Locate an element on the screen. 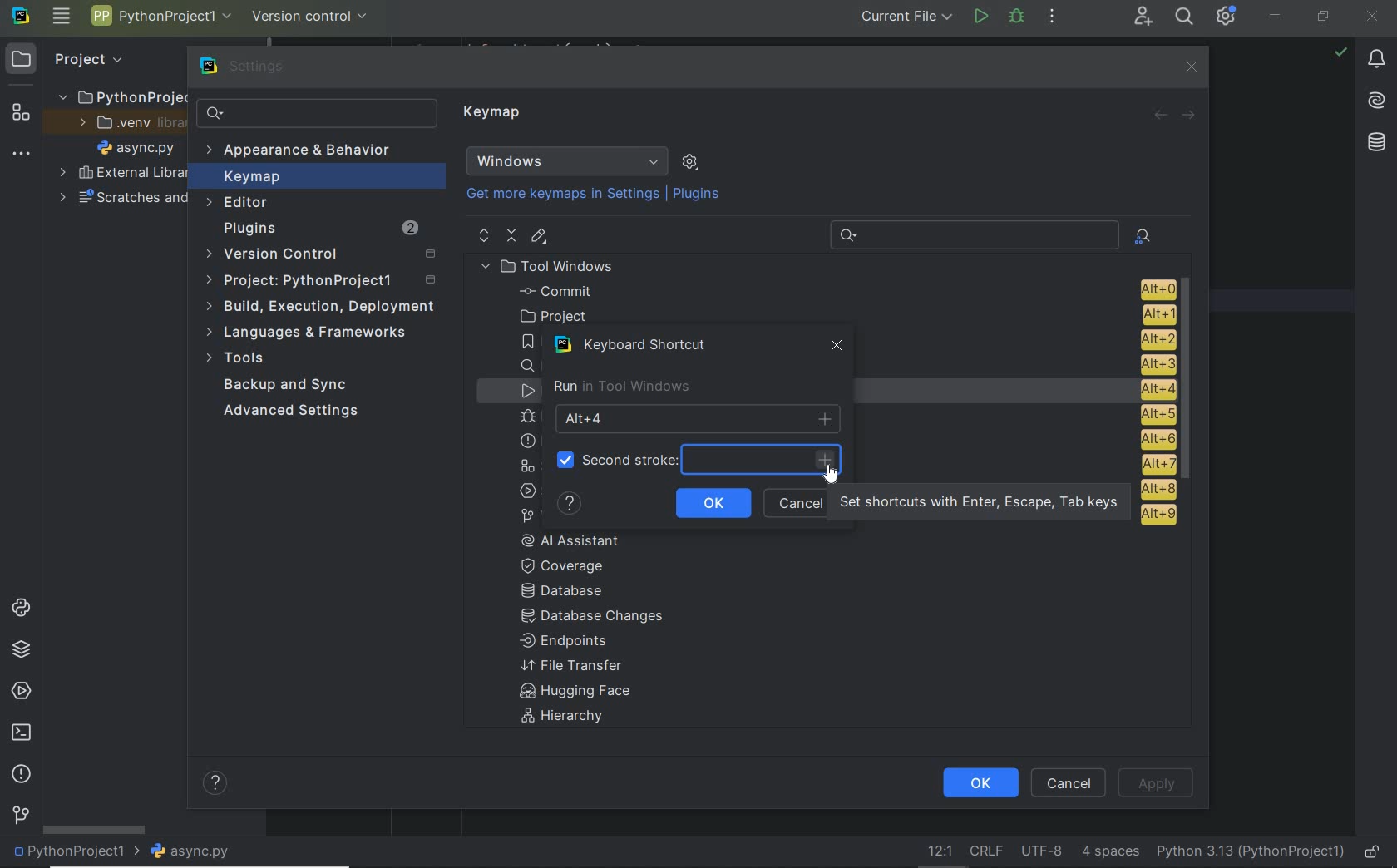  Plugins is located at coordinates (698, 195).